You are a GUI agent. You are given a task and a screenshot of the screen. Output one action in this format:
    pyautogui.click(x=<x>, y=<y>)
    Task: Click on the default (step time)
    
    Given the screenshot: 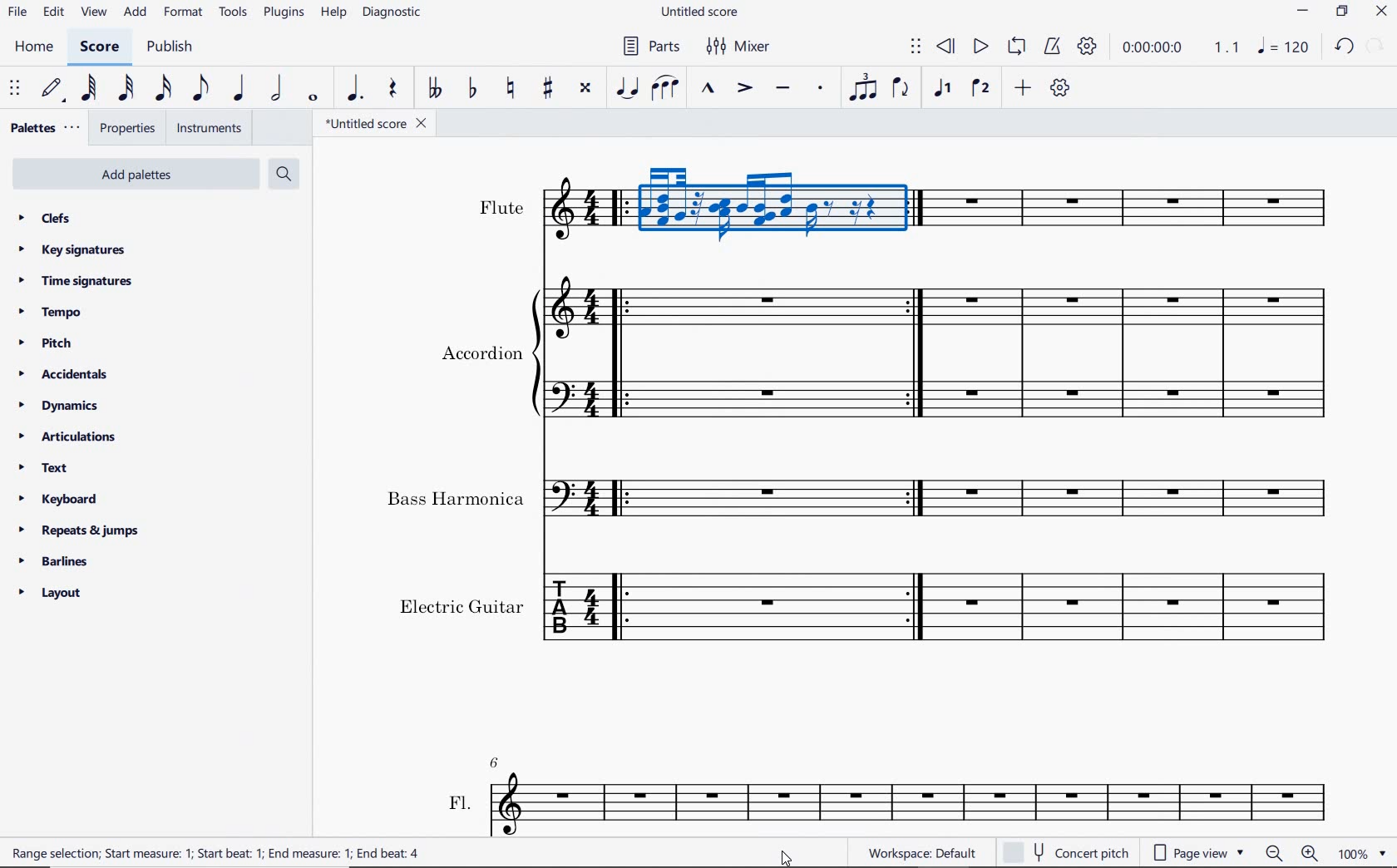 What is the action you would take?
    pyautogui.click(x=53, y=91)
    